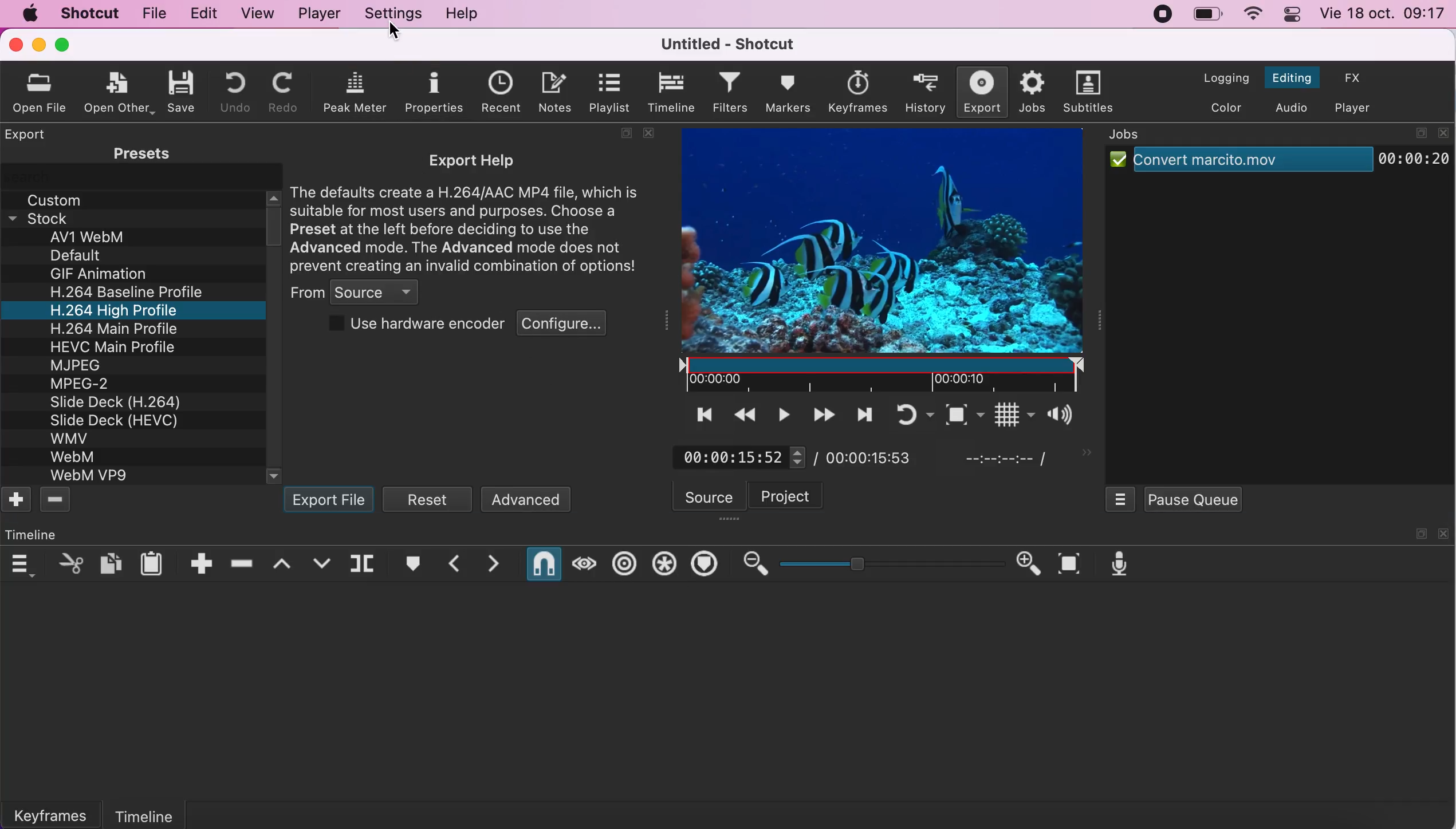 This screenshot has width=1456, height=829. Describe the element at coordinates (108, 562) in the screenshot. I see `copy` at that location.